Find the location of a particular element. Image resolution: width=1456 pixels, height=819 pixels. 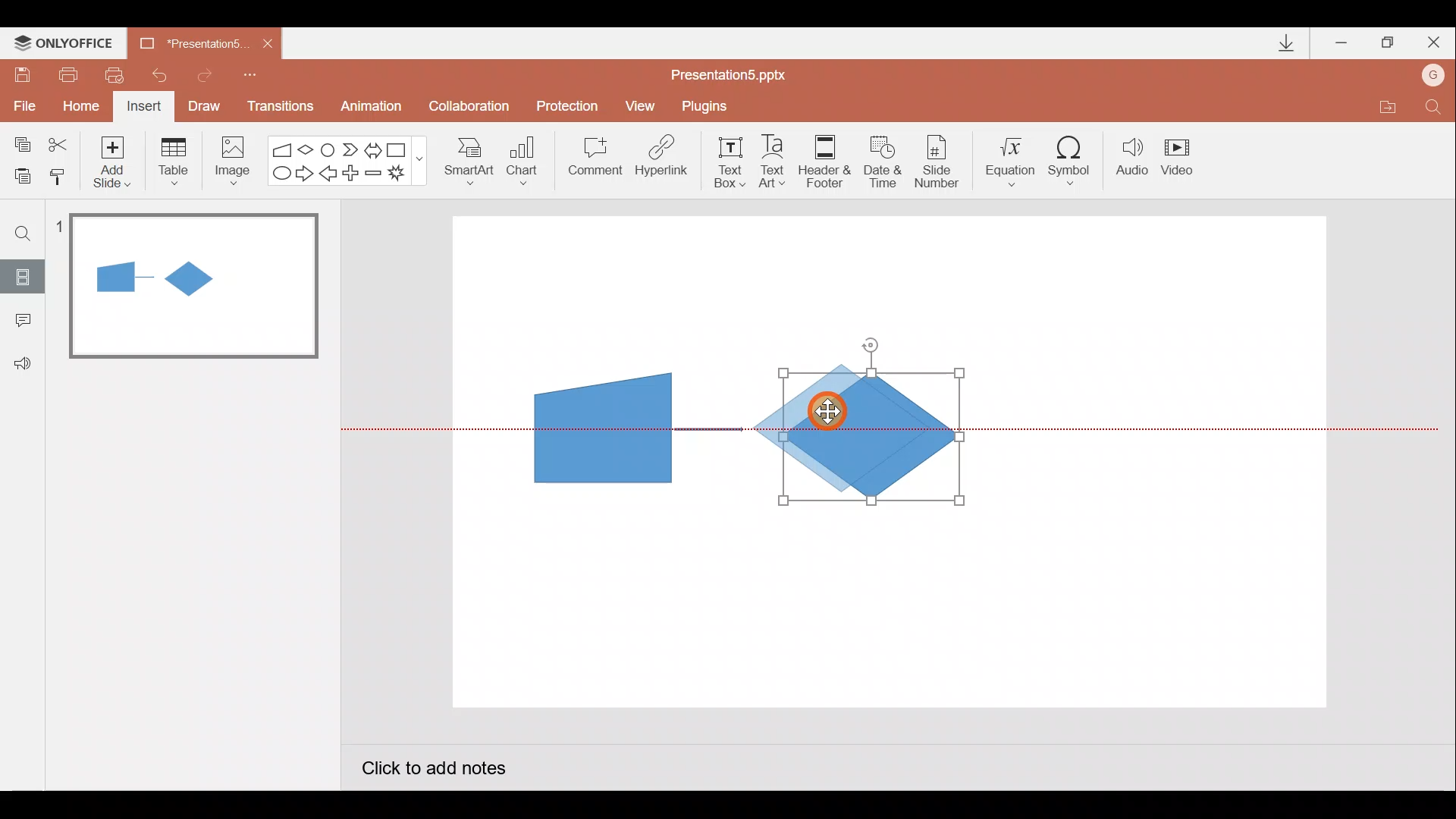

Right arrow is located at coordinates (306, 172).